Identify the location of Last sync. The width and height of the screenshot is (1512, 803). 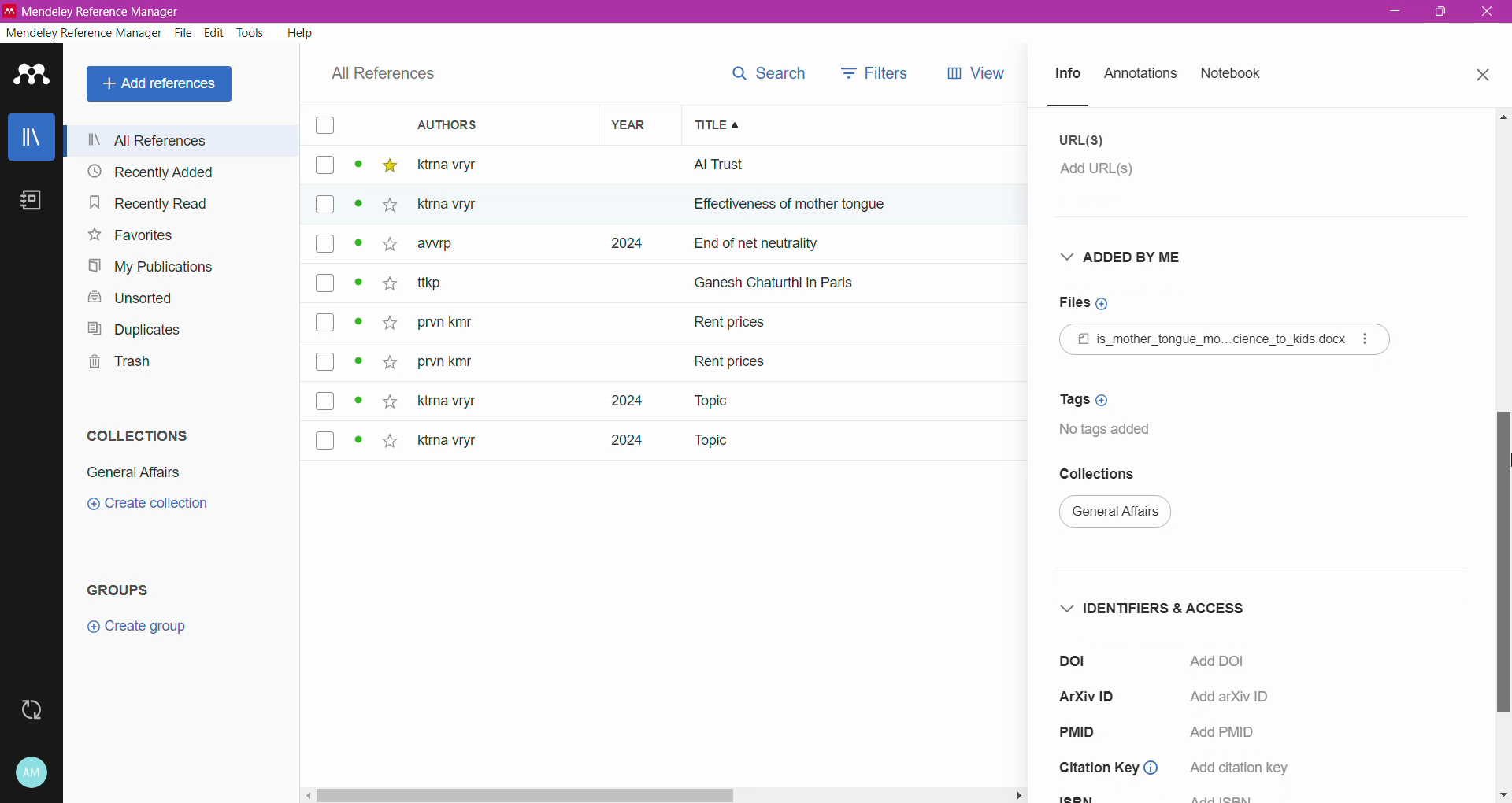
(31, 710).